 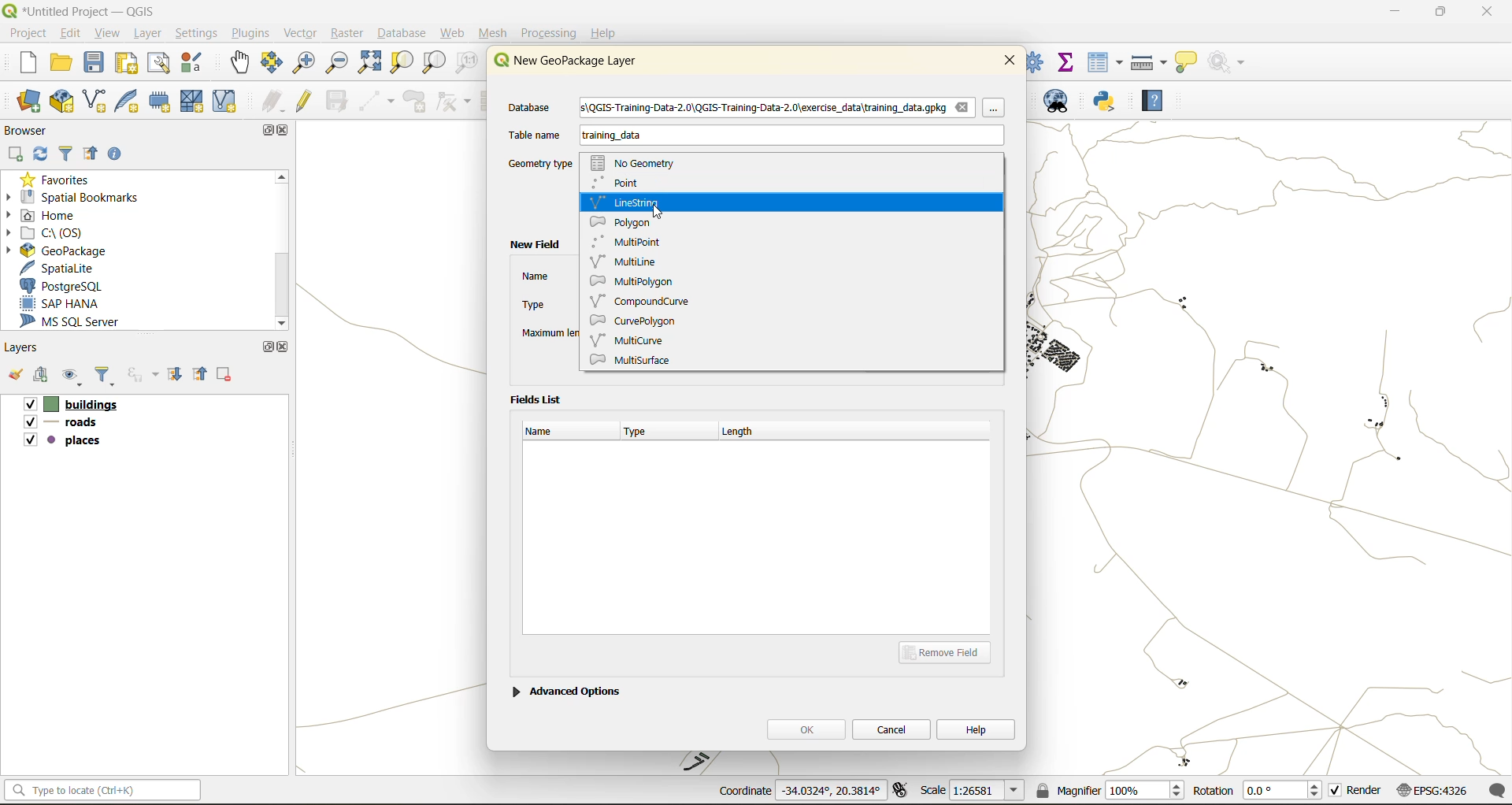 What do you see at coordinates (533, 276) in the screenshot?
I see `Name` at bounding box center [533, 276].